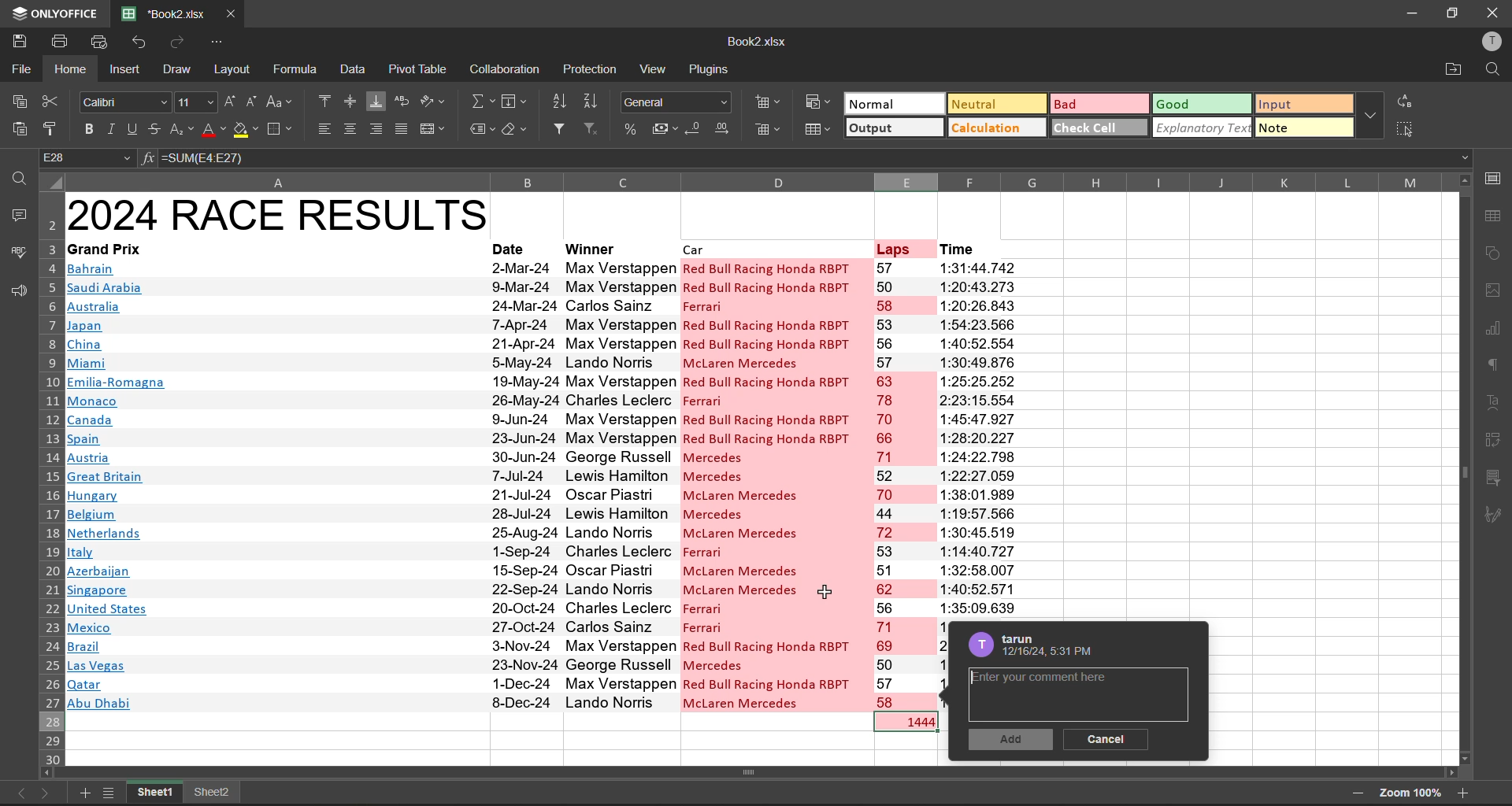  I want to click on conditional formatting, so click(818, 106).